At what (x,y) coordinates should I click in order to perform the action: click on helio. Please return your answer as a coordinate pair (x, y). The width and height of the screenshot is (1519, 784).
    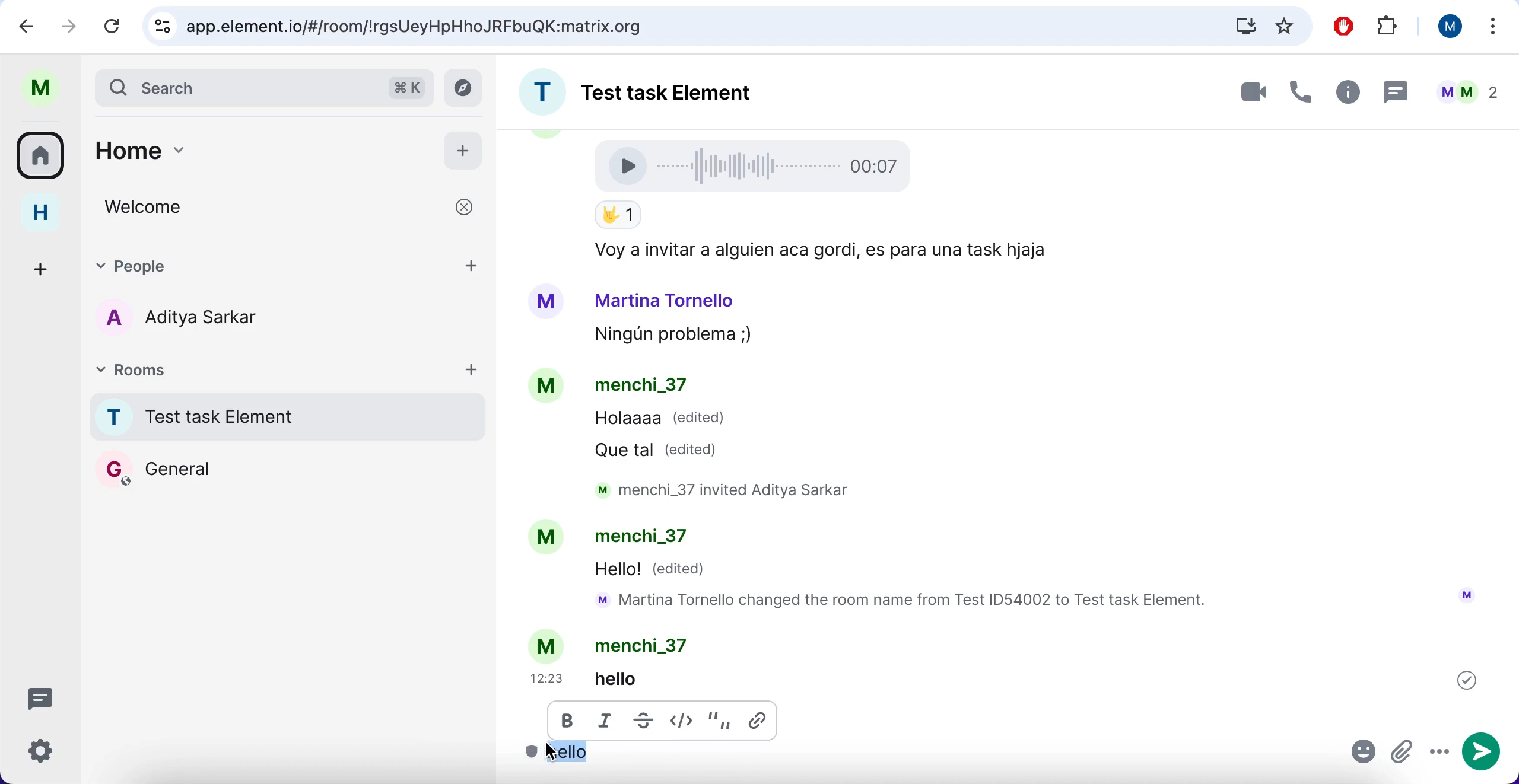
    Looking at the image, I should click on (635, 678).